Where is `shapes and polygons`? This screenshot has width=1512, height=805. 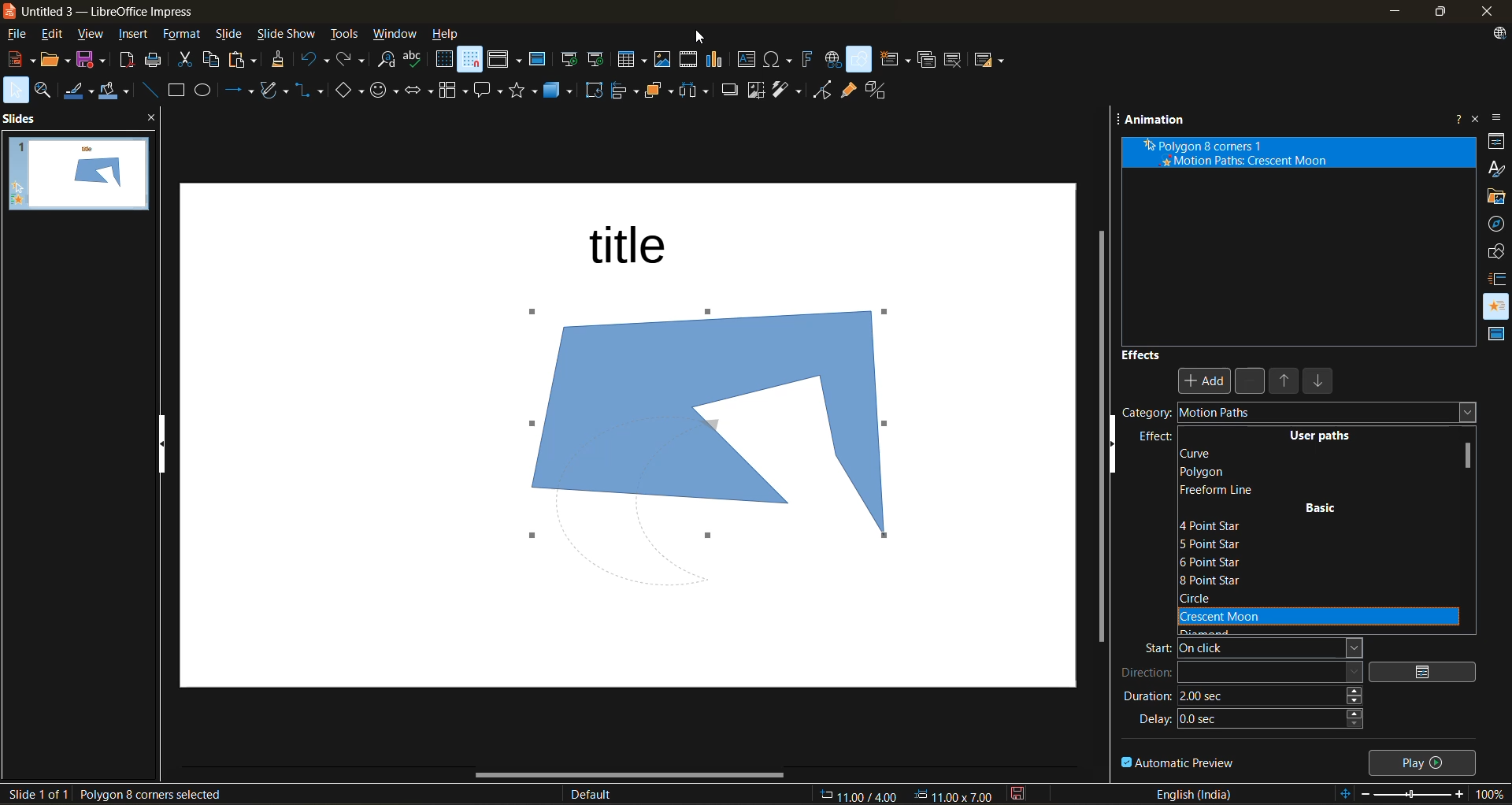 shapes and polygons is located at coordinates (272, 89).